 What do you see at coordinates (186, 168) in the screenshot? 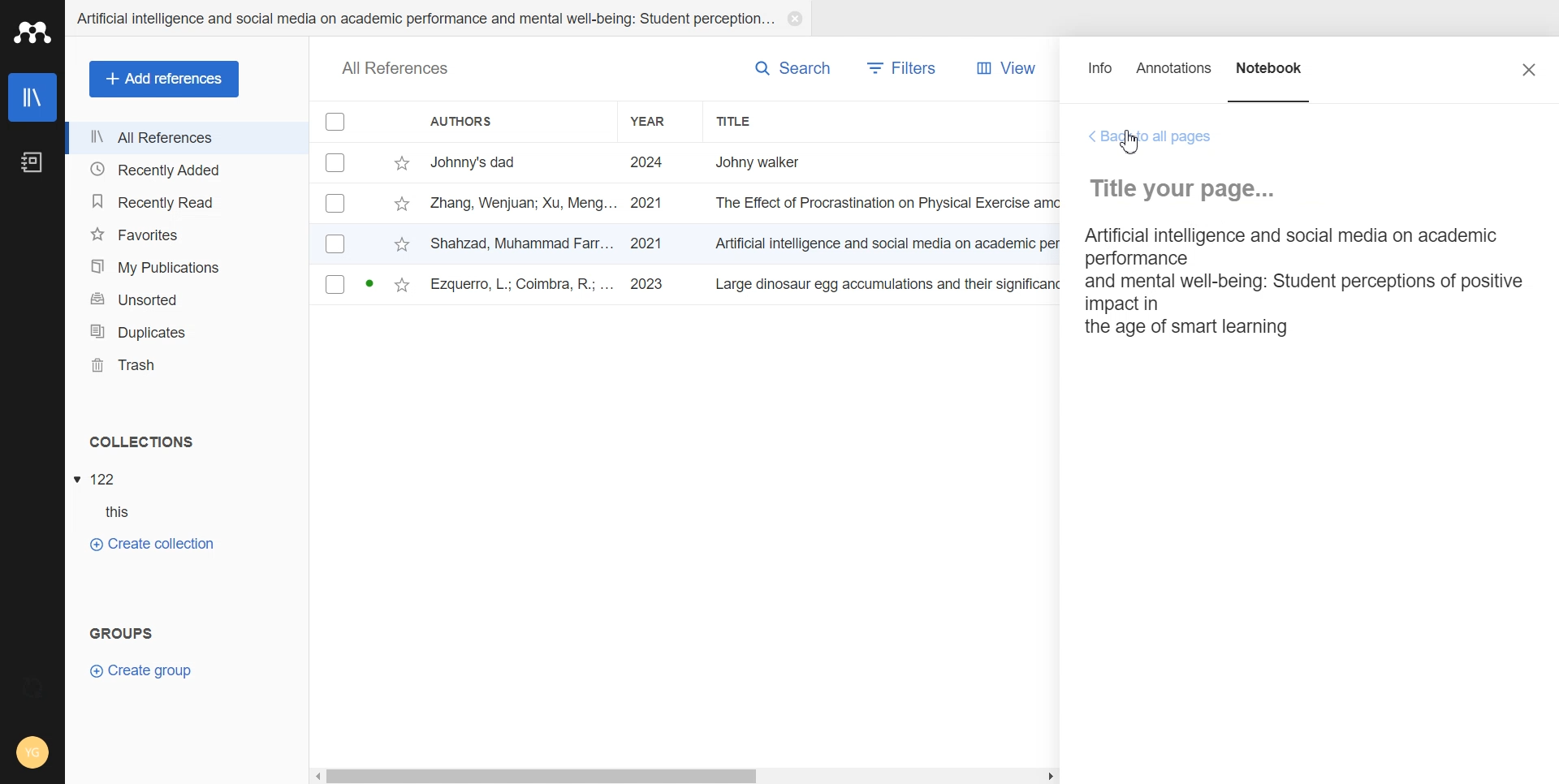
I see `Recently Added` at bounding box center [186, 168].